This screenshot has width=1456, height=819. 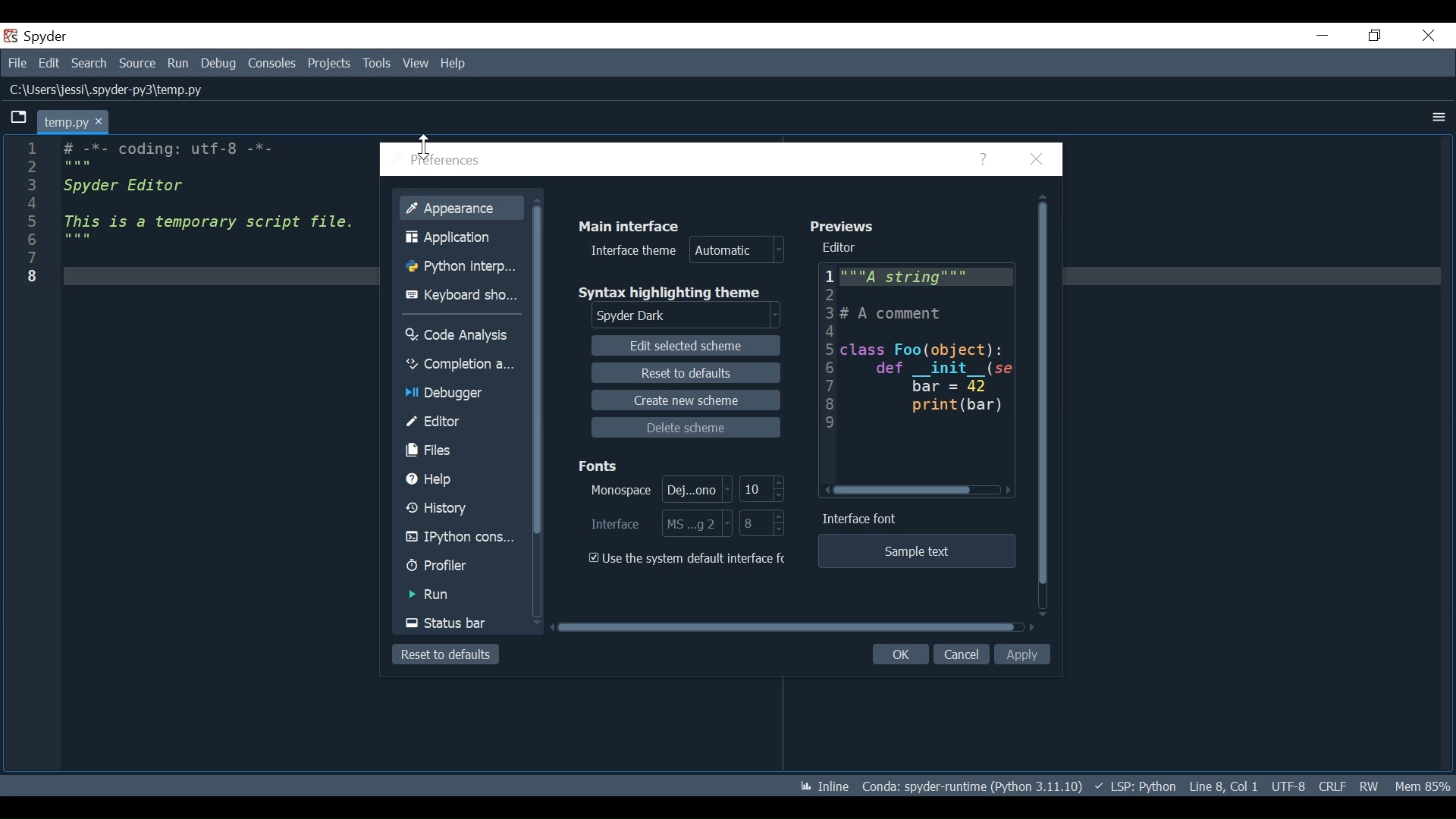 What do you see at coordinates (984, 159) in the screenshot?
I see `Help` at bounding box center [984, 159].